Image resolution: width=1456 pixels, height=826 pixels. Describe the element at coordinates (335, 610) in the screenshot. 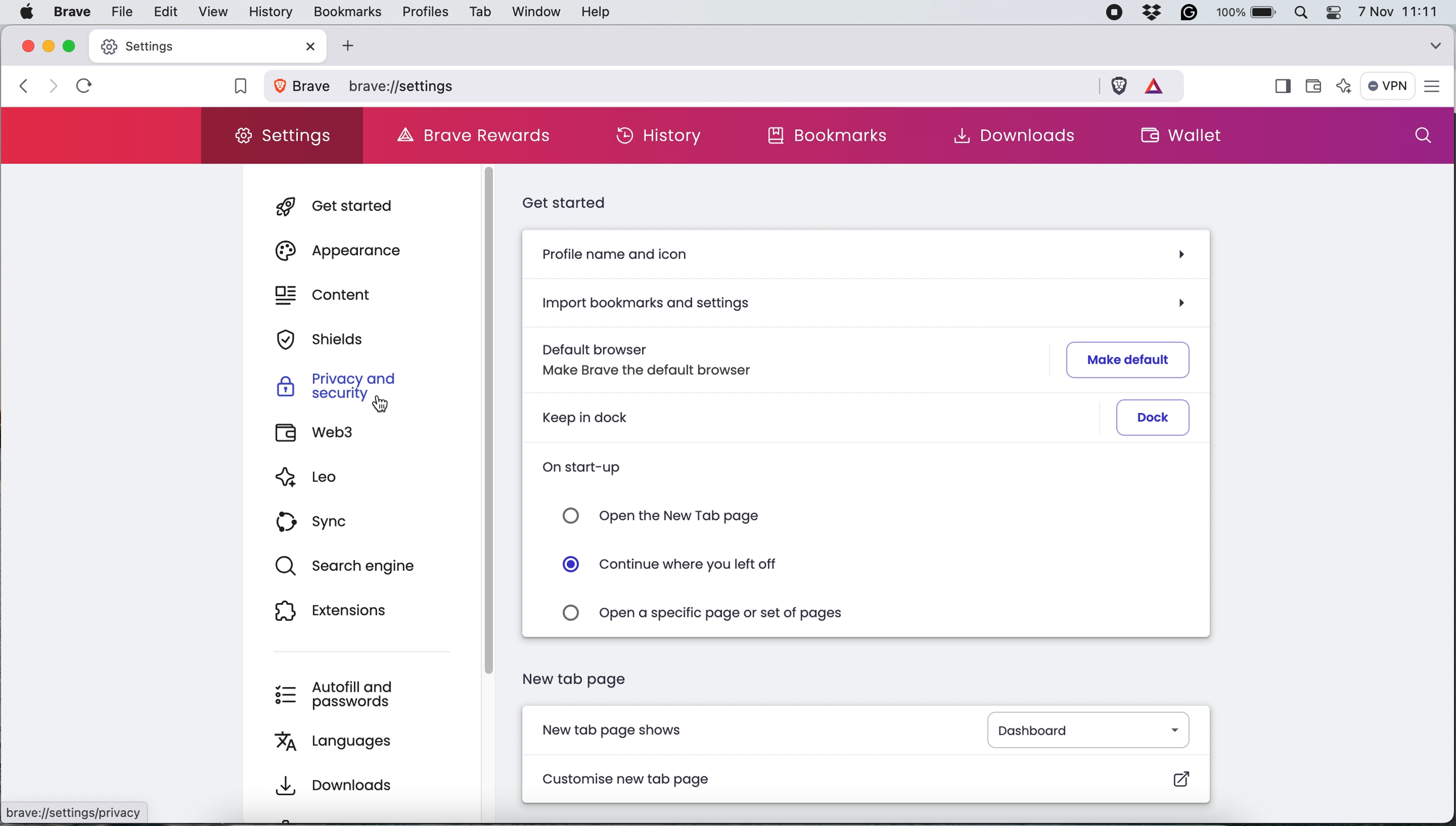

I see `extensions` at that location.